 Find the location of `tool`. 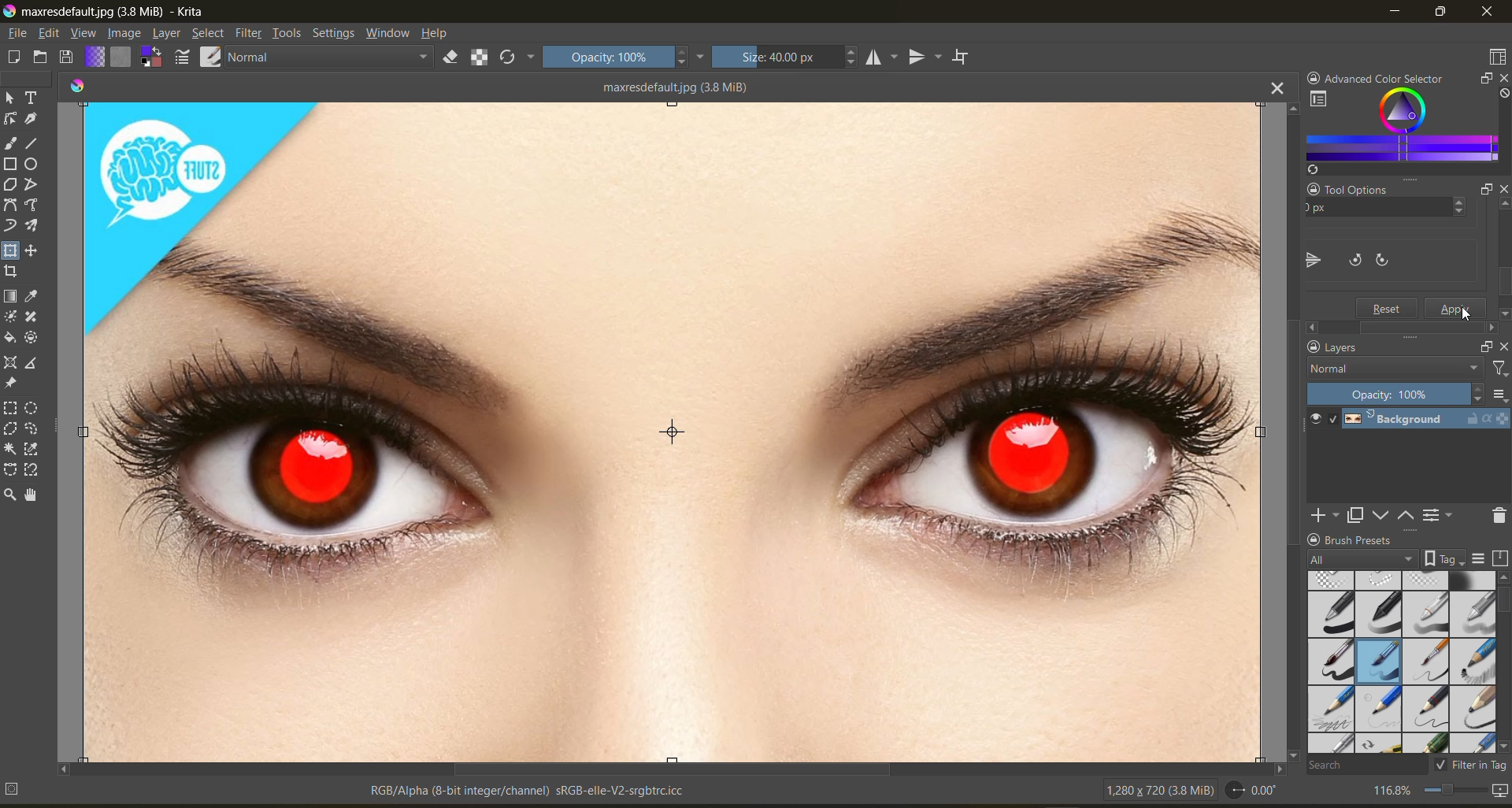

tool is located at coordinates (12, 226).